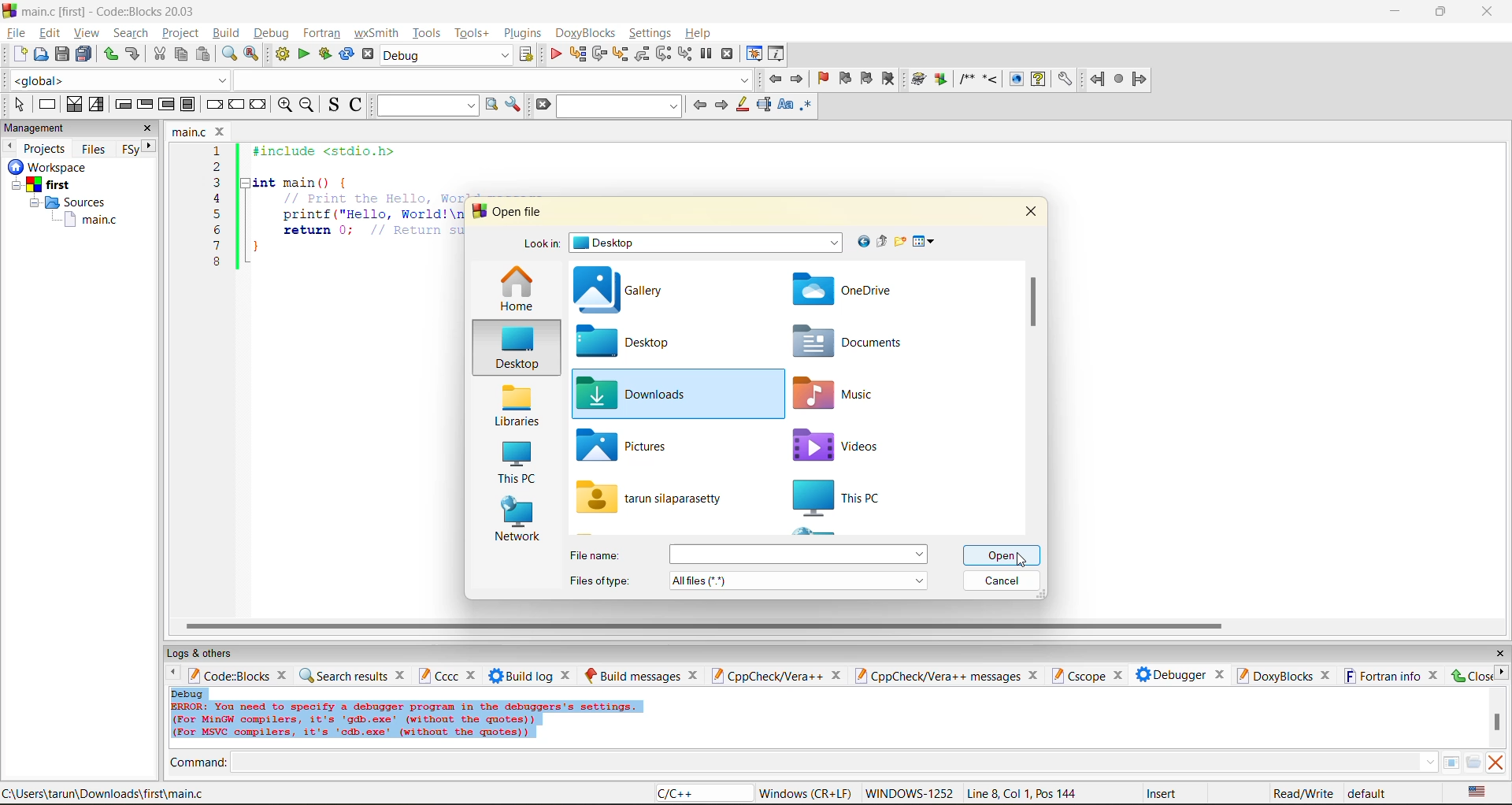  Describe the element at coordinates (541, 246) in the screenshot. I see `look in` at that location.